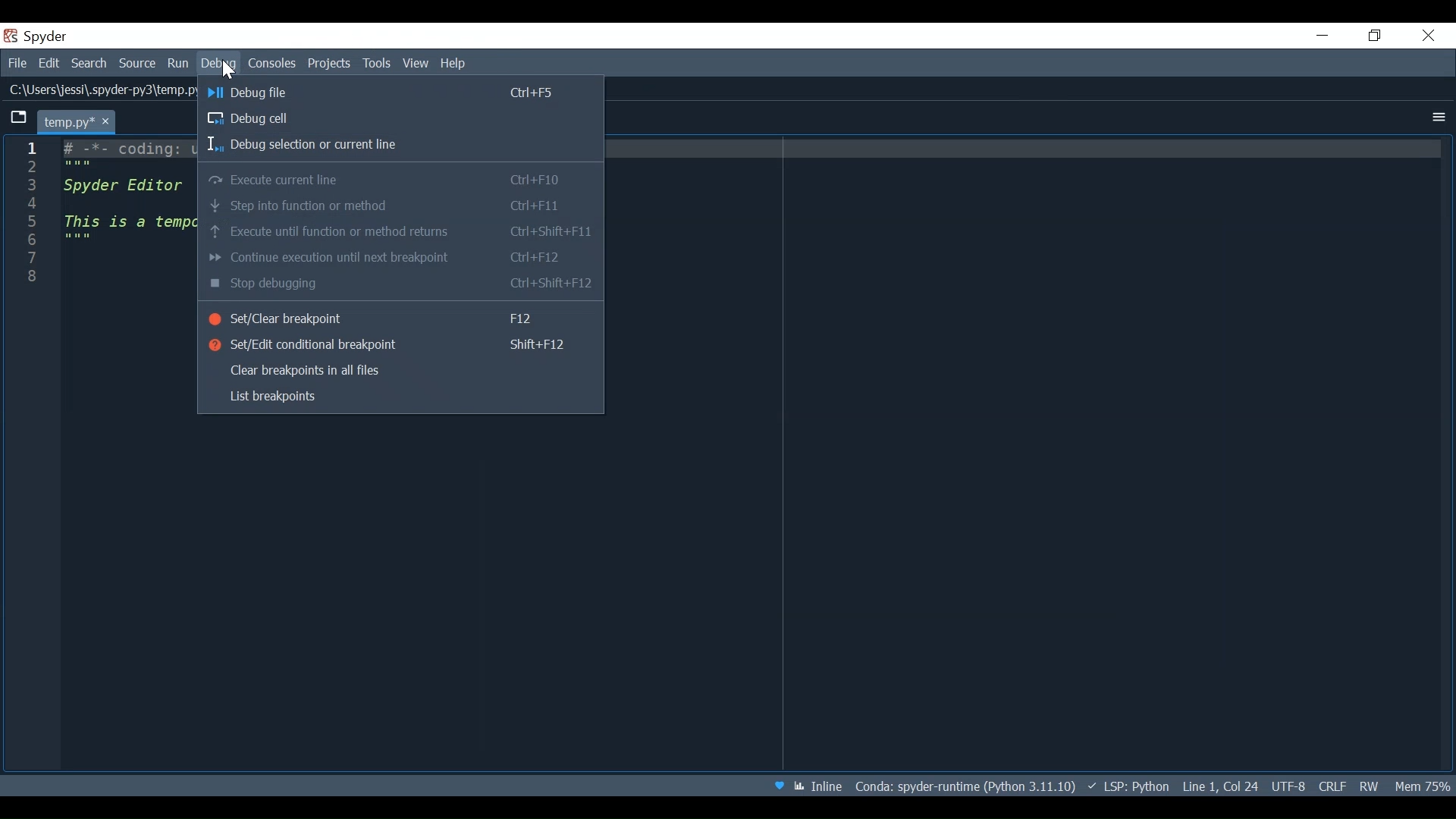  Describe the element at coordinates (397, 231) in the screenshot. I see `Execute until function or method runs` at that location.